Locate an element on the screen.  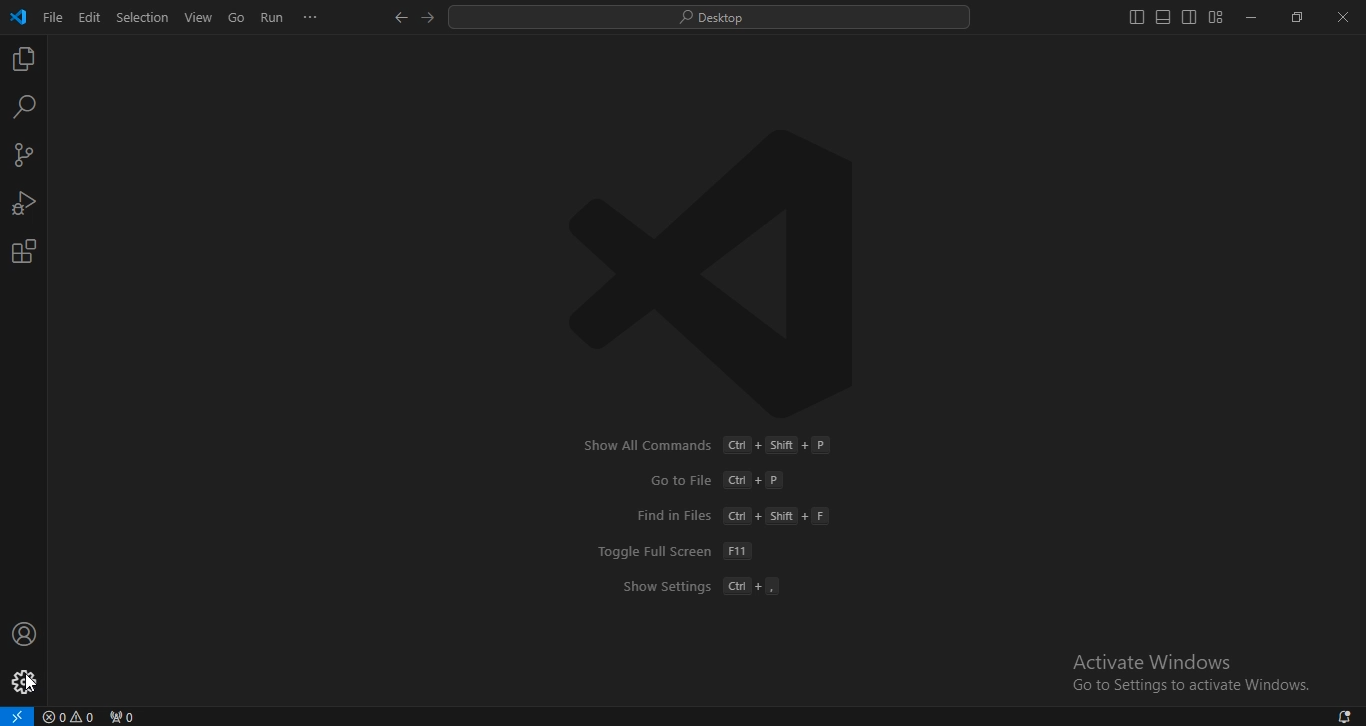
text is located at coordinates (717, 480).